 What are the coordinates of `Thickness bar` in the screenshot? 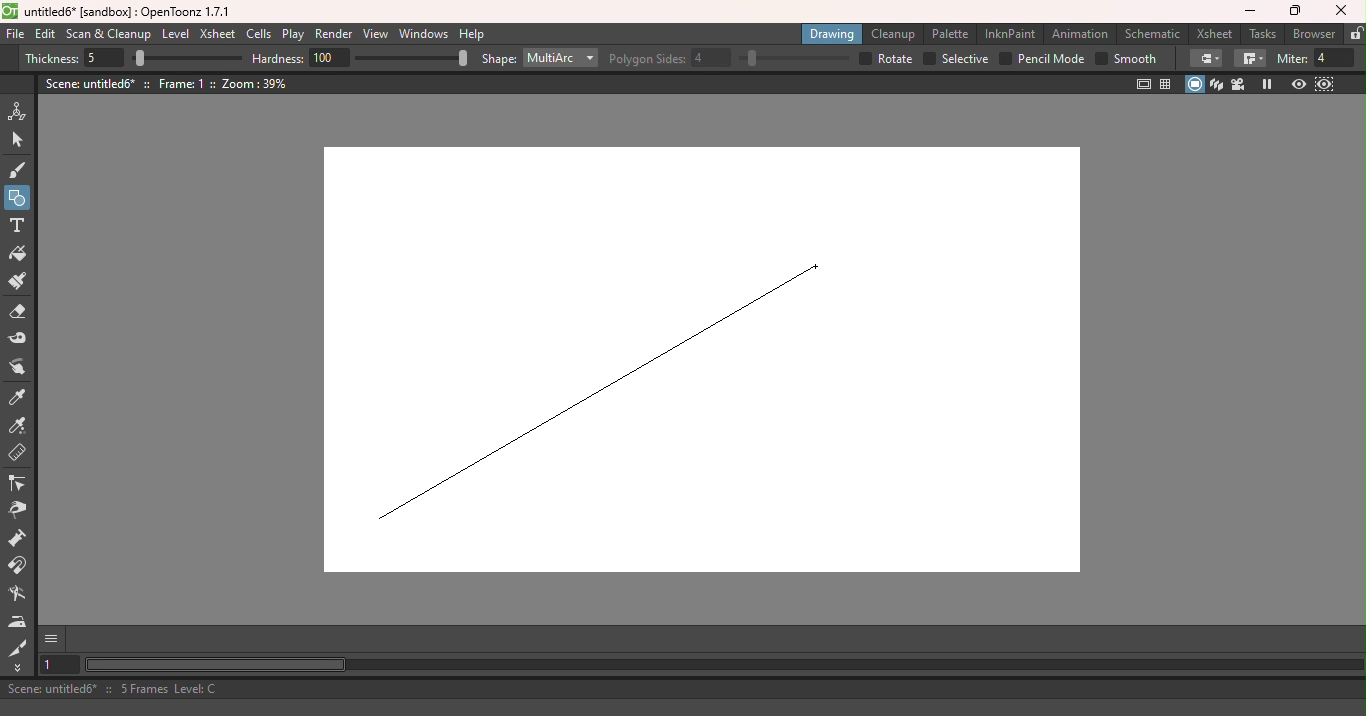 It's located at (186, 57).